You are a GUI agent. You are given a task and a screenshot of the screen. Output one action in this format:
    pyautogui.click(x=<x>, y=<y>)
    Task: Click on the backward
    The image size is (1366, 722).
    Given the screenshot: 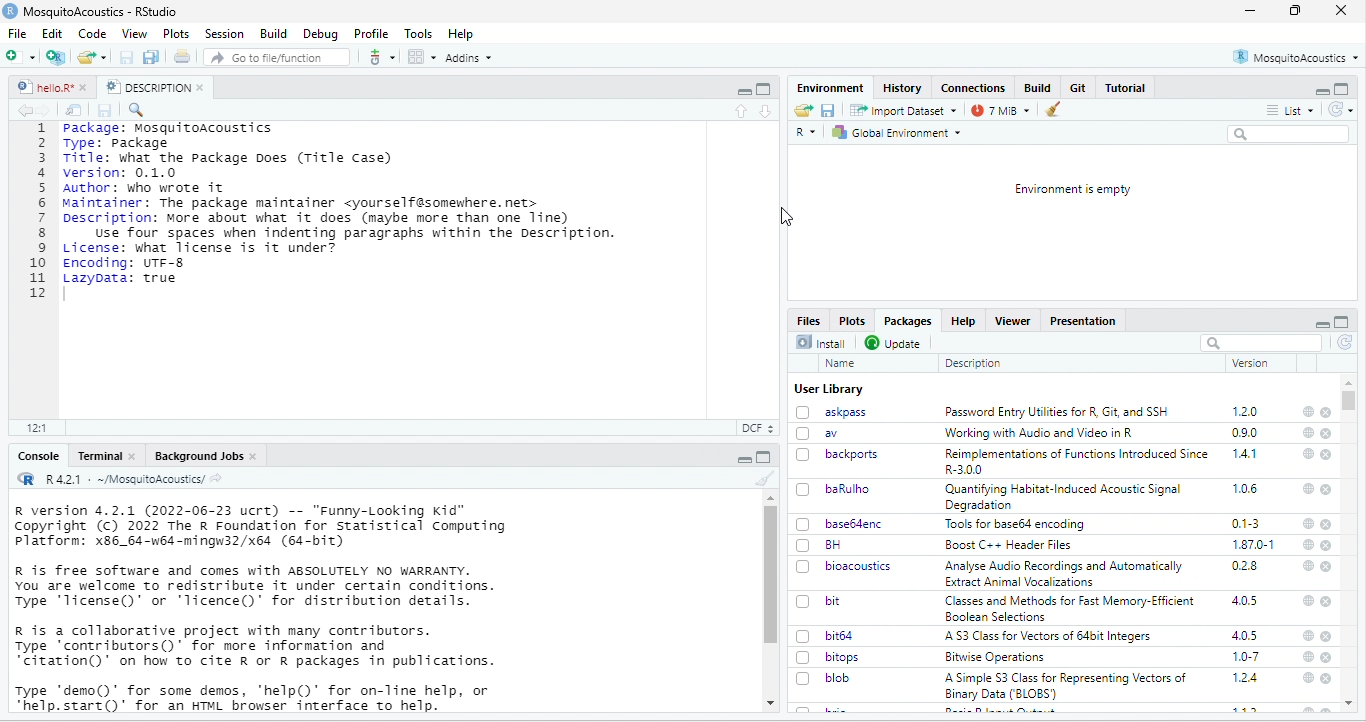 What is the action you would take?
    pyautogui.click(x=21, y=110)
    